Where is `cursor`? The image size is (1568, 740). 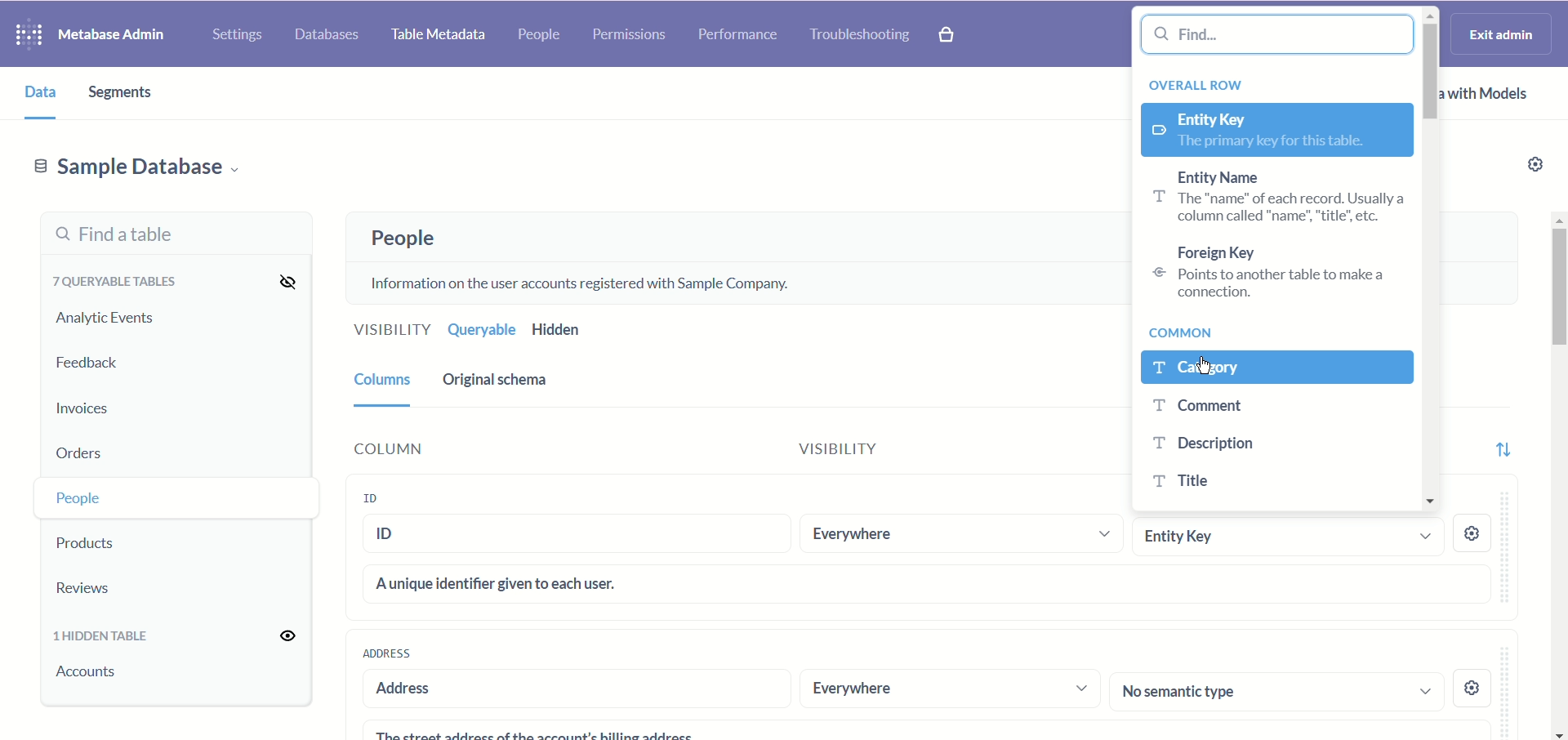 cursor is located at coordinates (1205, 369).